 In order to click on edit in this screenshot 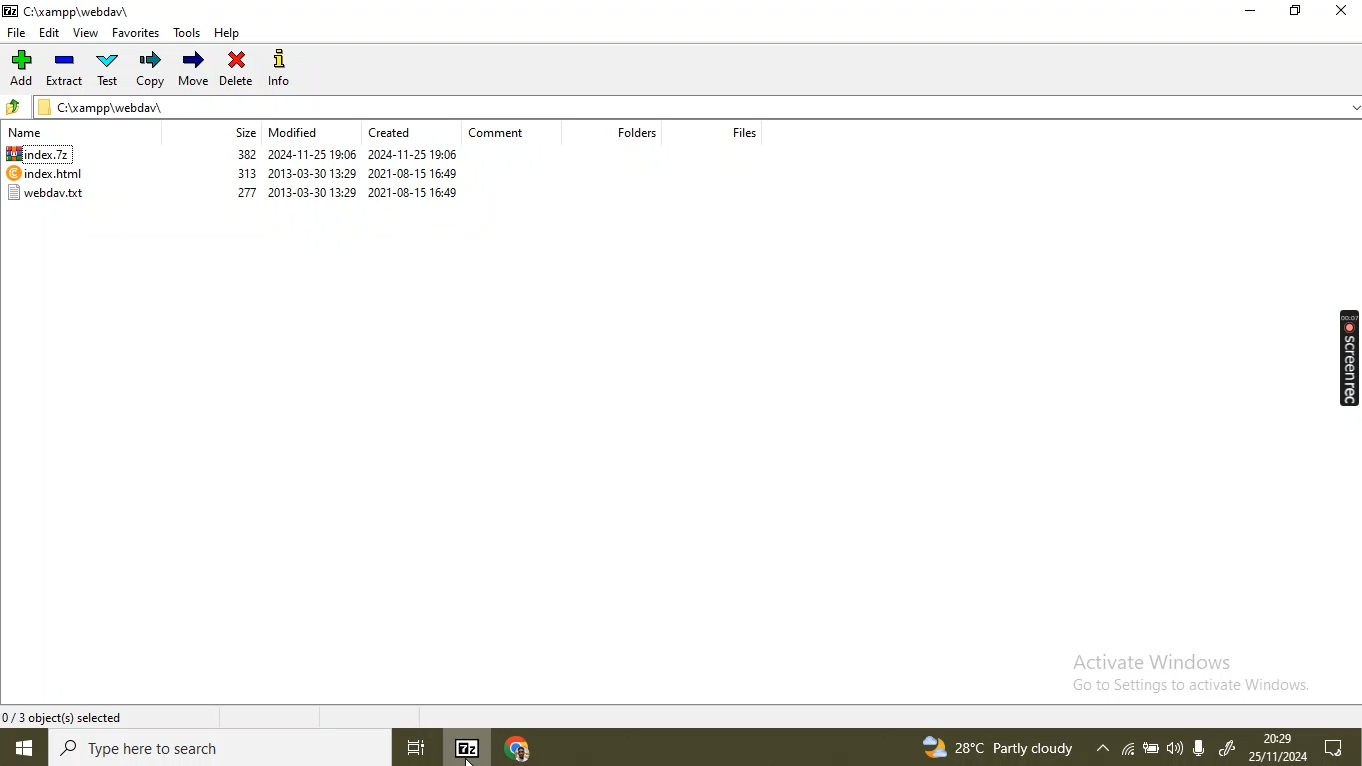, I will do `click(49, 32)`.